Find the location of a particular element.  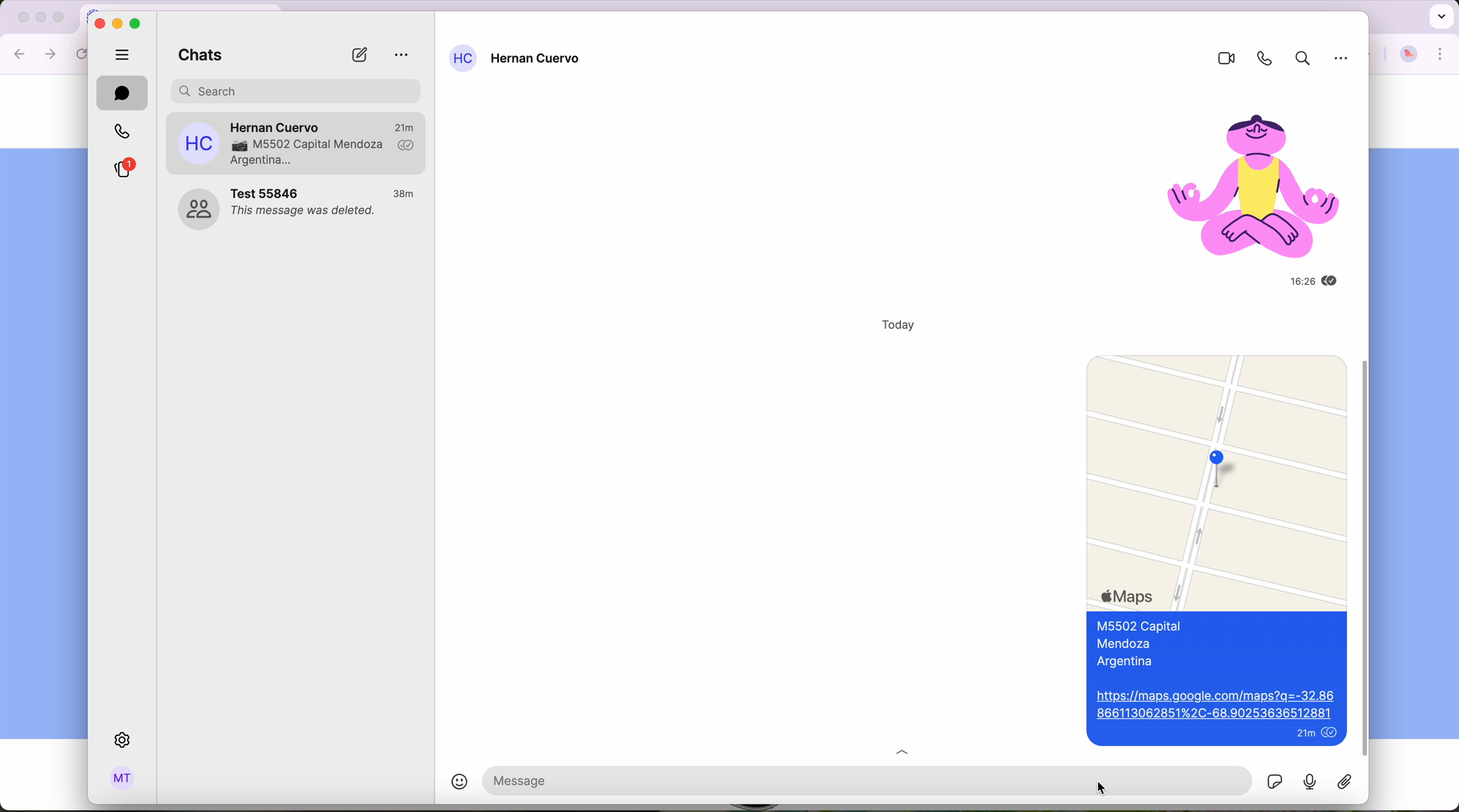

camera emoji is located at coordinates (237, 146).